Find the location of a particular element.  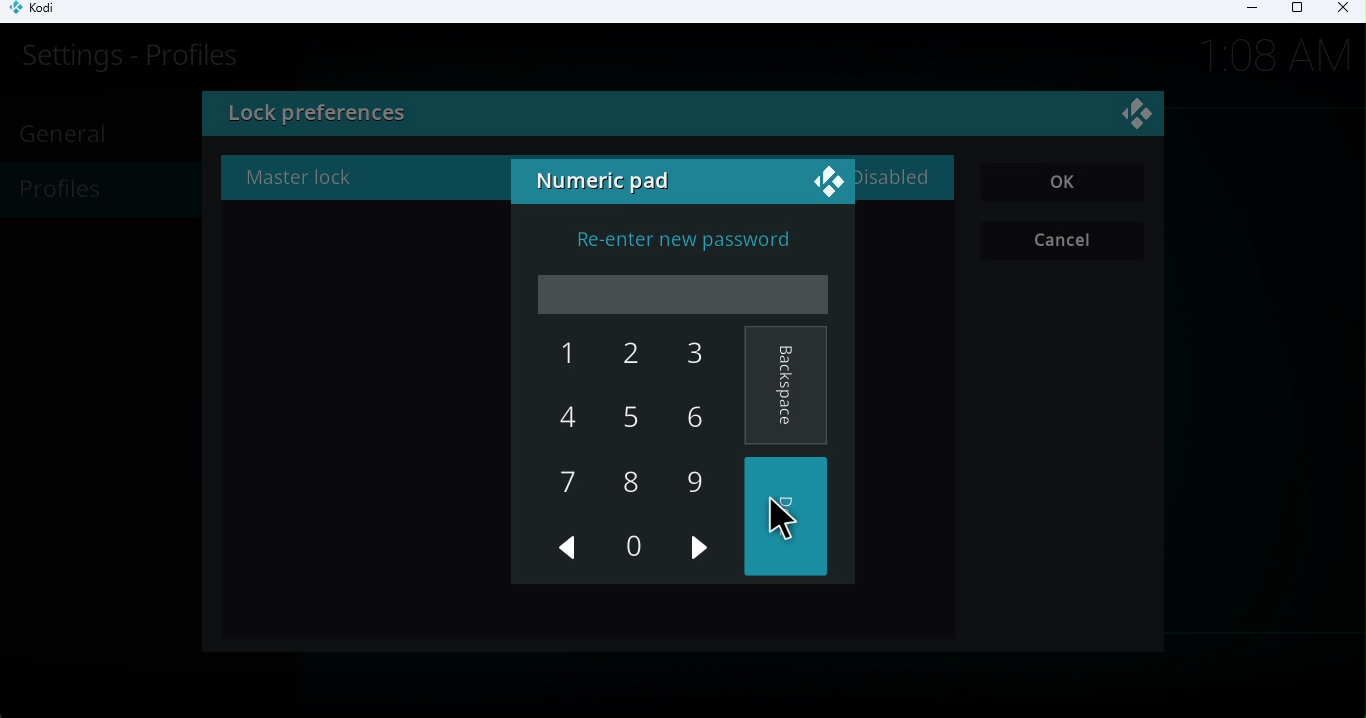

Kodi icon is located at coordinates (42, 12).